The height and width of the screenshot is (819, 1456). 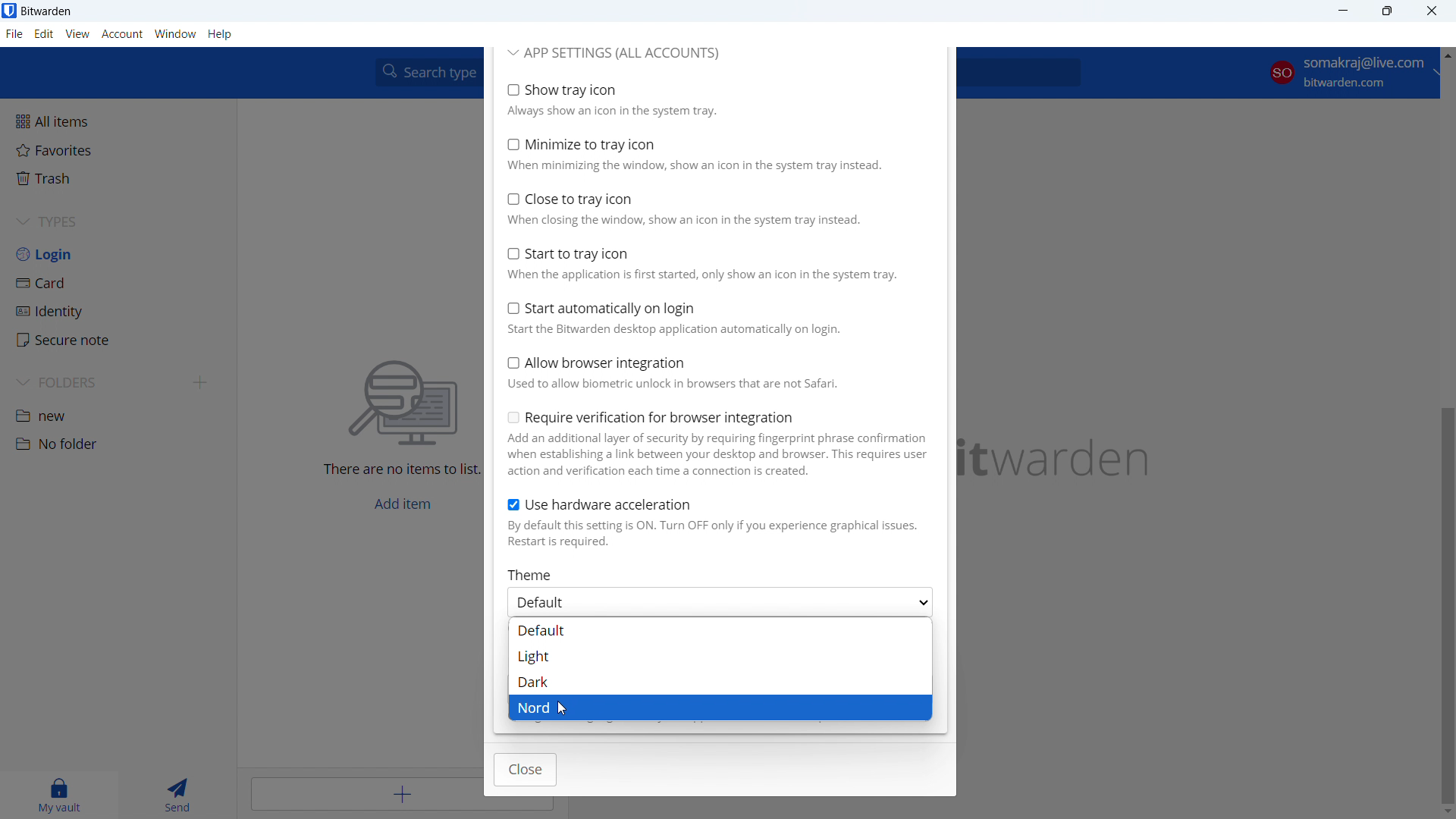 What do you see at coordinates (1447, 605) in the screenshot?
I see `scrollbar` at bounding box center [1447, 605].